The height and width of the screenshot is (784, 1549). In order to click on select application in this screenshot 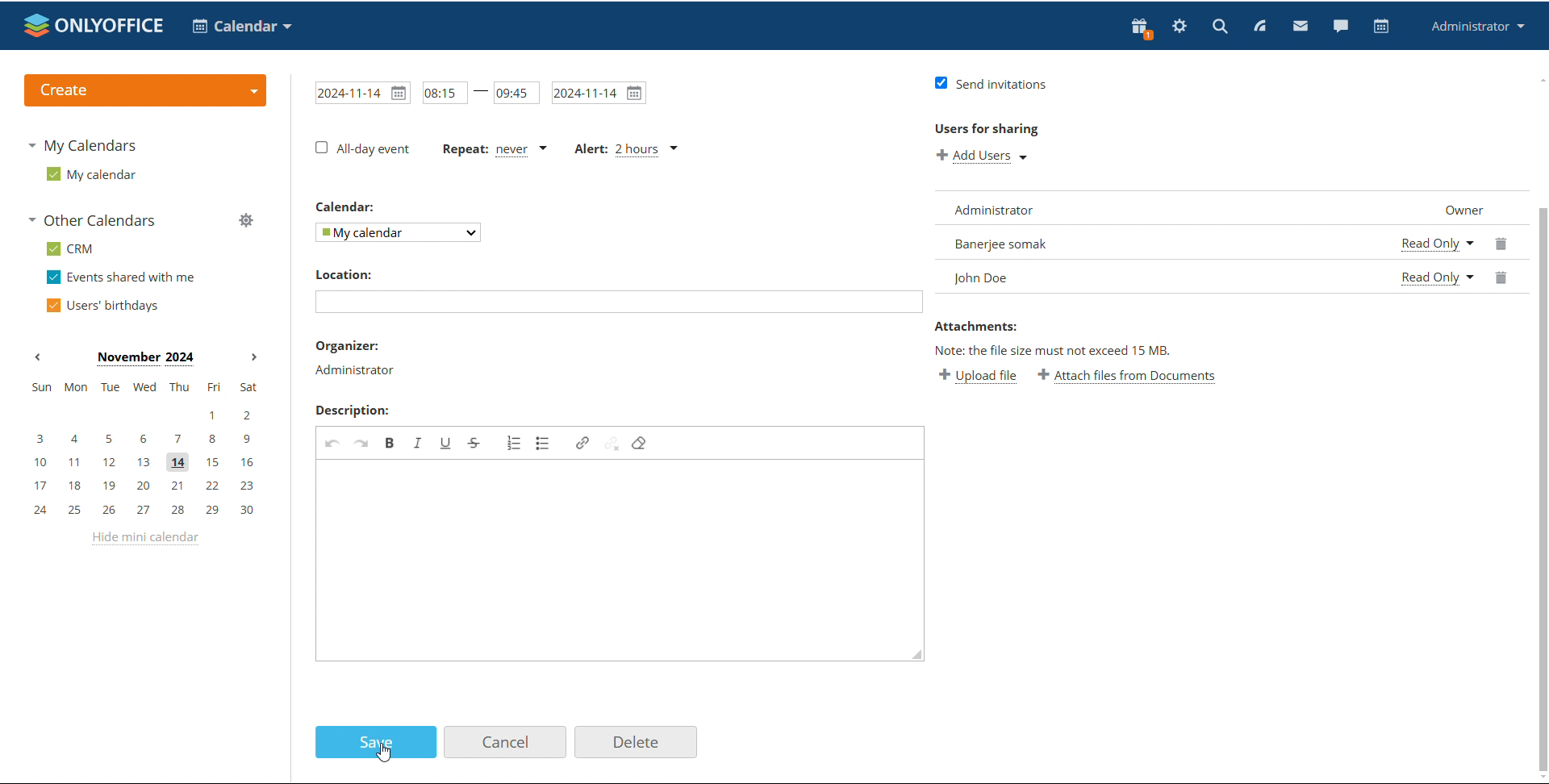, I will do `click(240, 27)`.